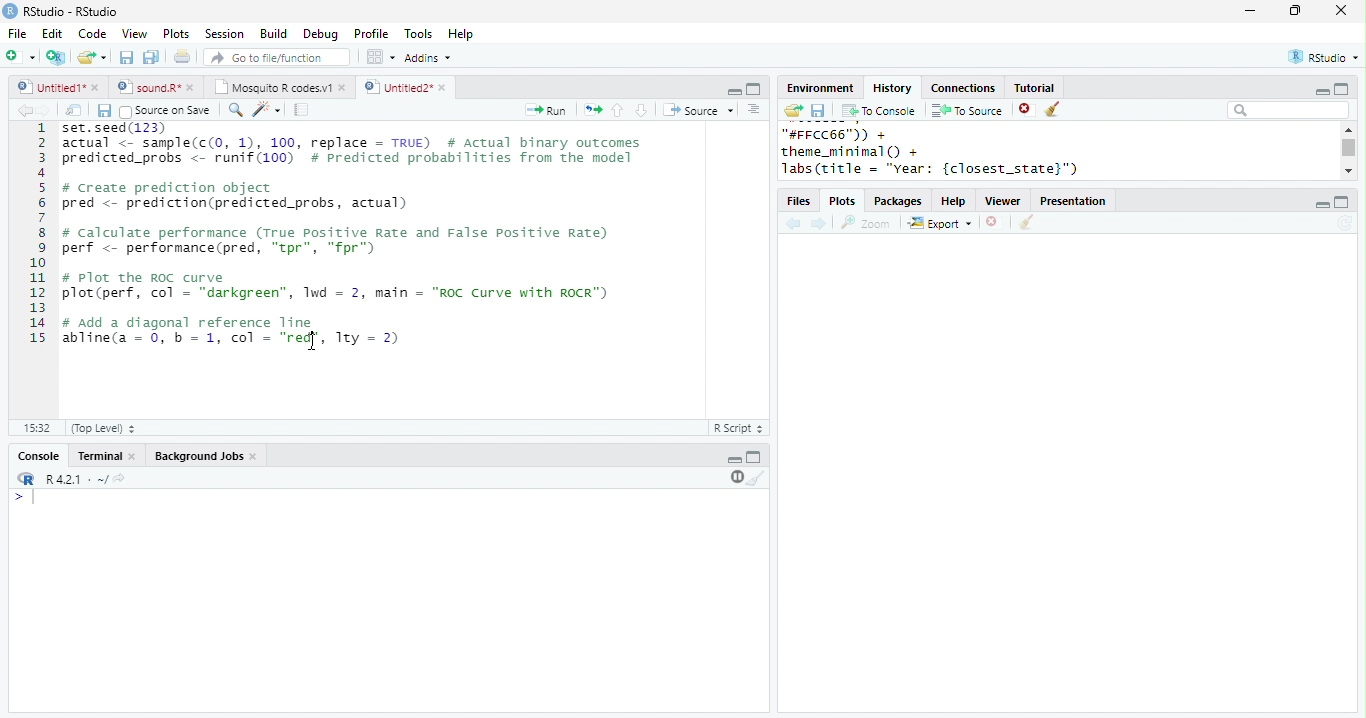  What do you see at coordinates (1026, 223) in the screenshot?
I see `clear` at bounding box center [1026, 223].